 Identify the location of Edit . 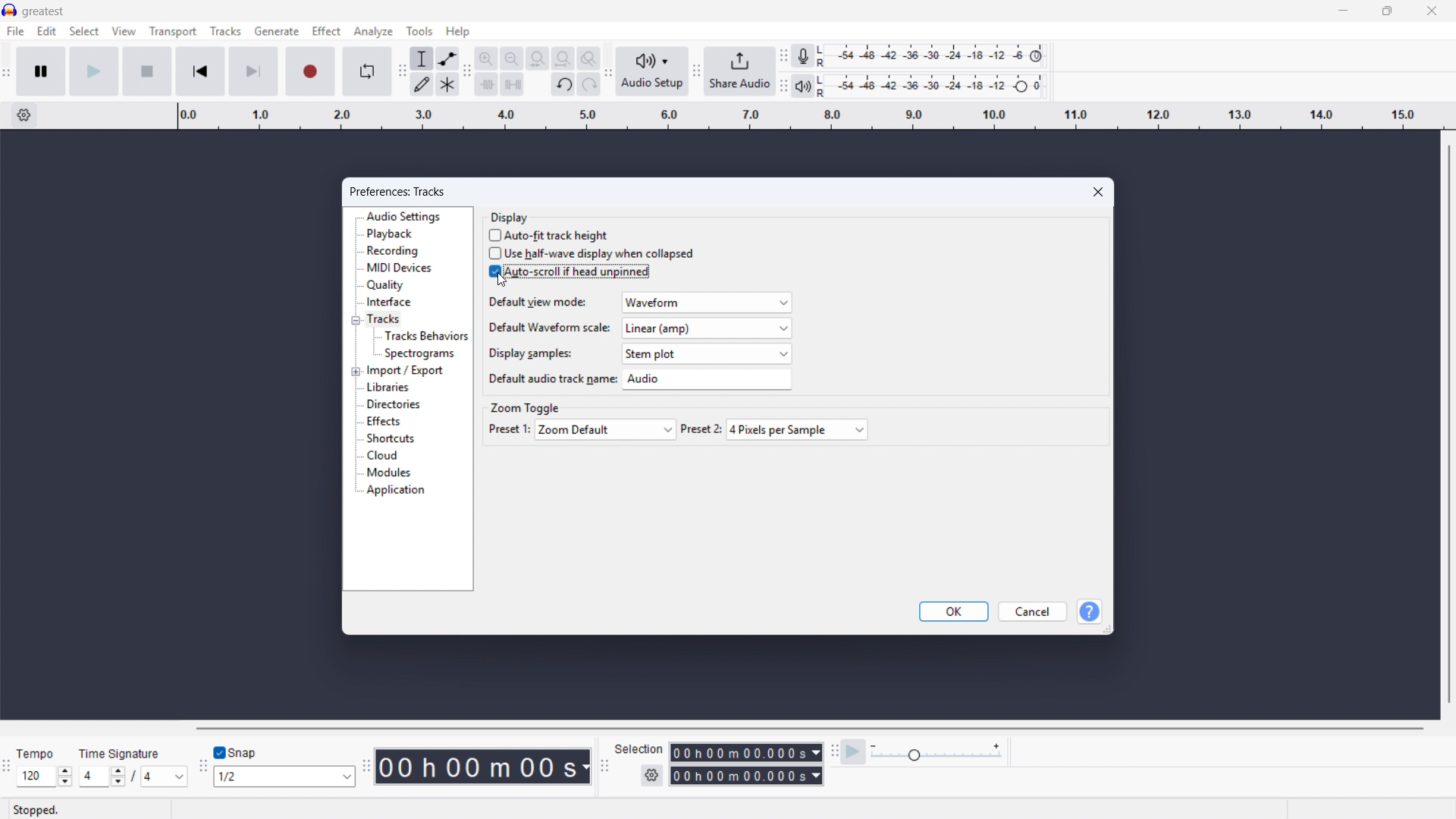
(47, 31).